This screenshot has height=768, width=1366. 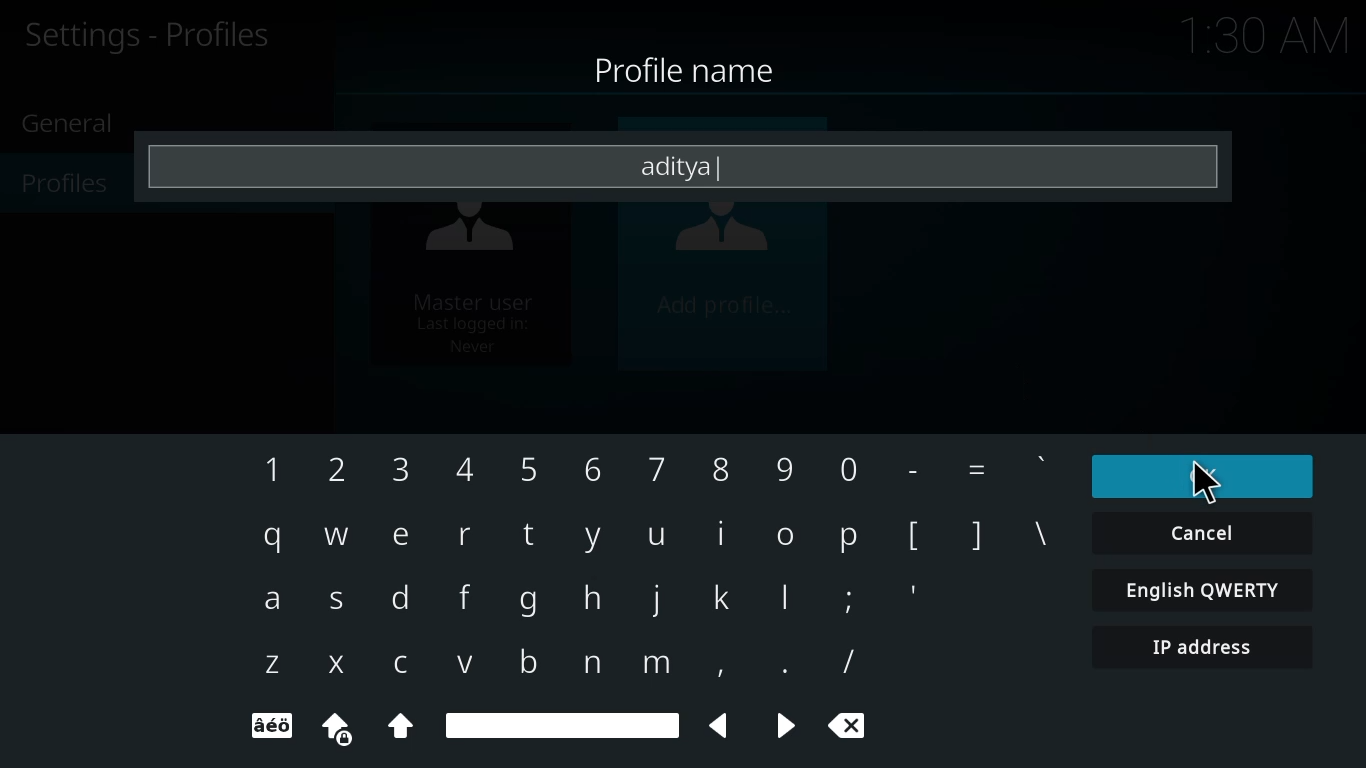 I want to click on /, so click(x=855, y=665).